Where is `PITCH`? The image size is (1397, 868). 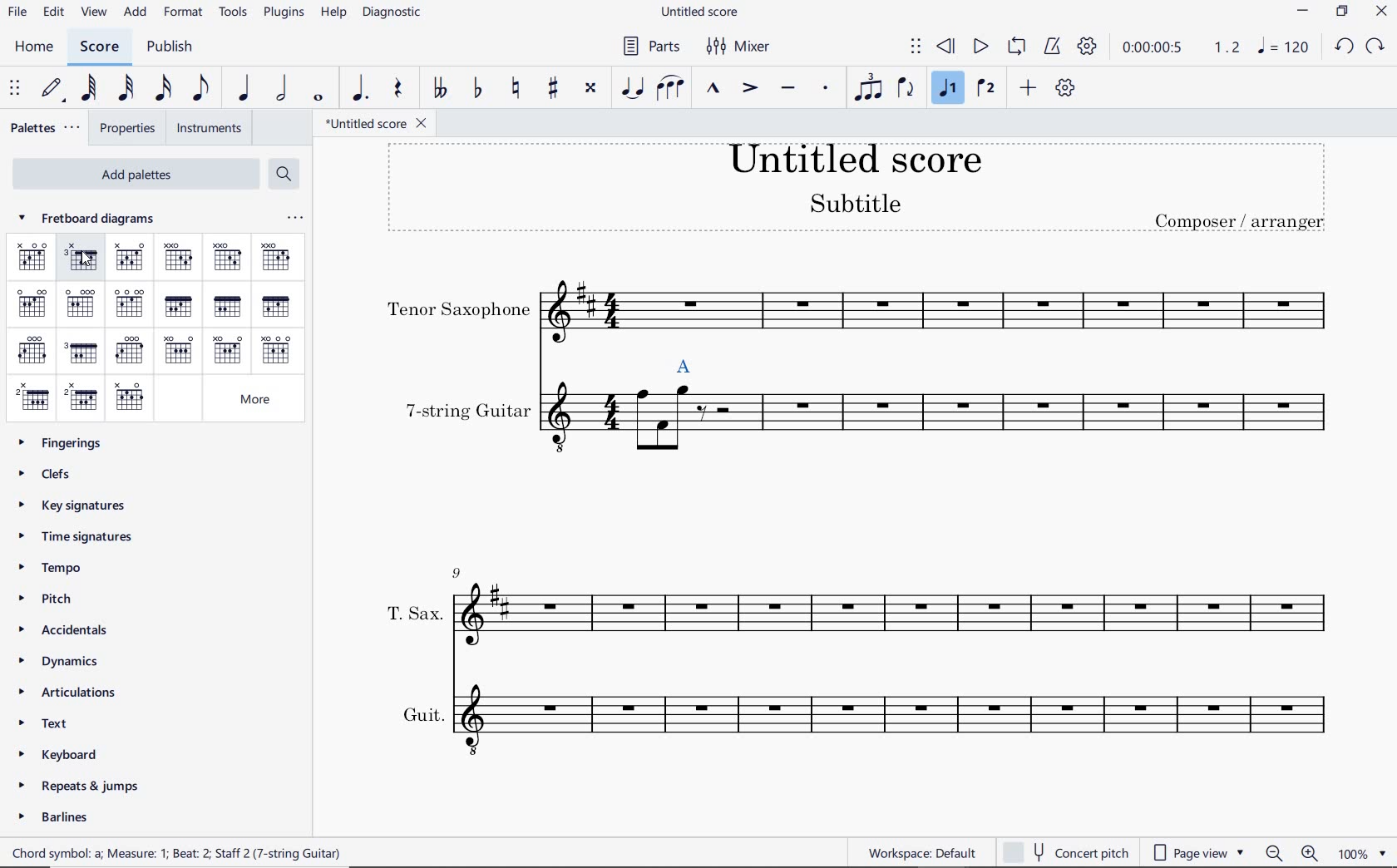 PITCH is located at coordinates (52, 600).